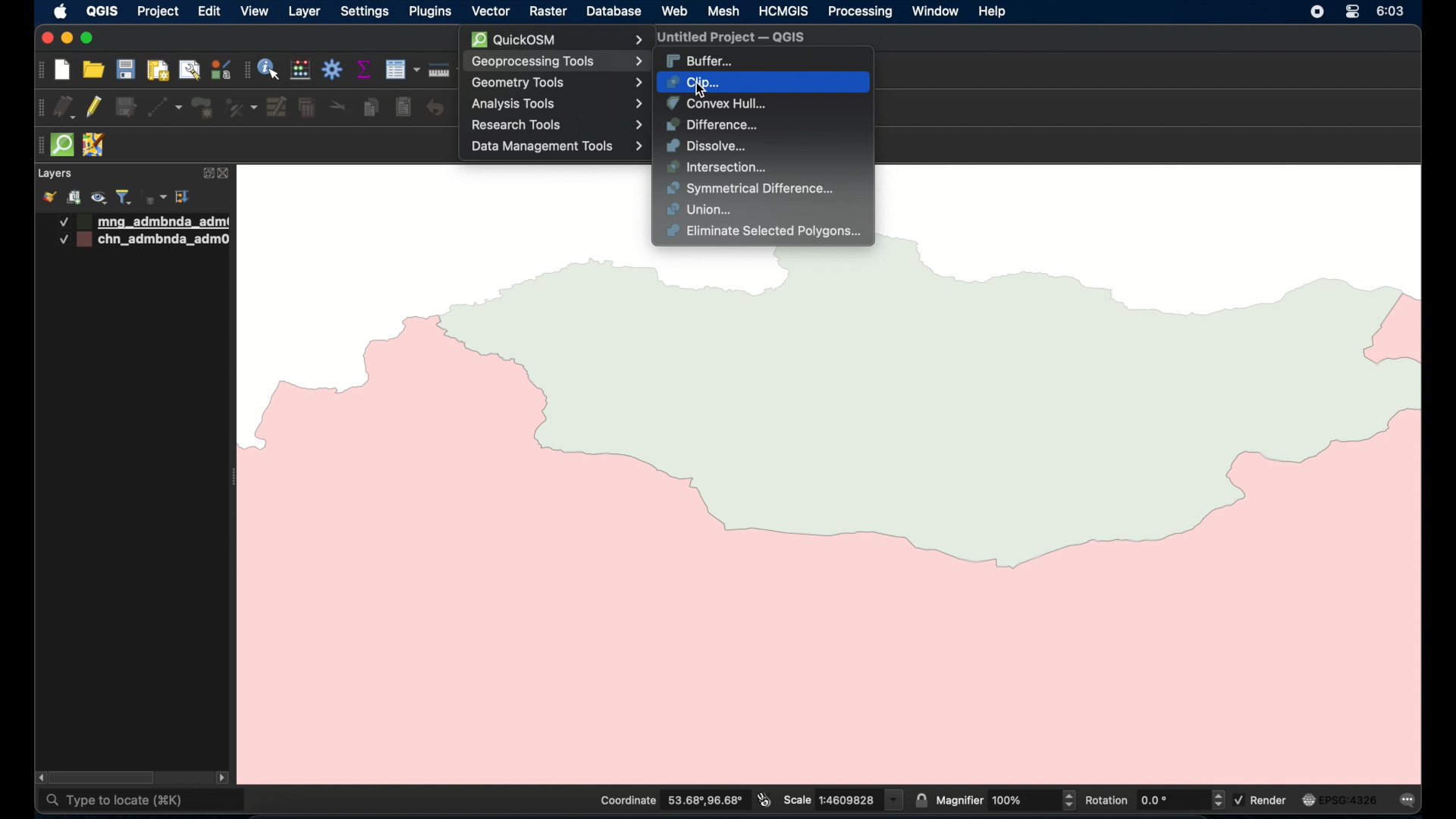  Describe the element at coordinates (712, 125) in the screenshot. I see `difference` at that location.